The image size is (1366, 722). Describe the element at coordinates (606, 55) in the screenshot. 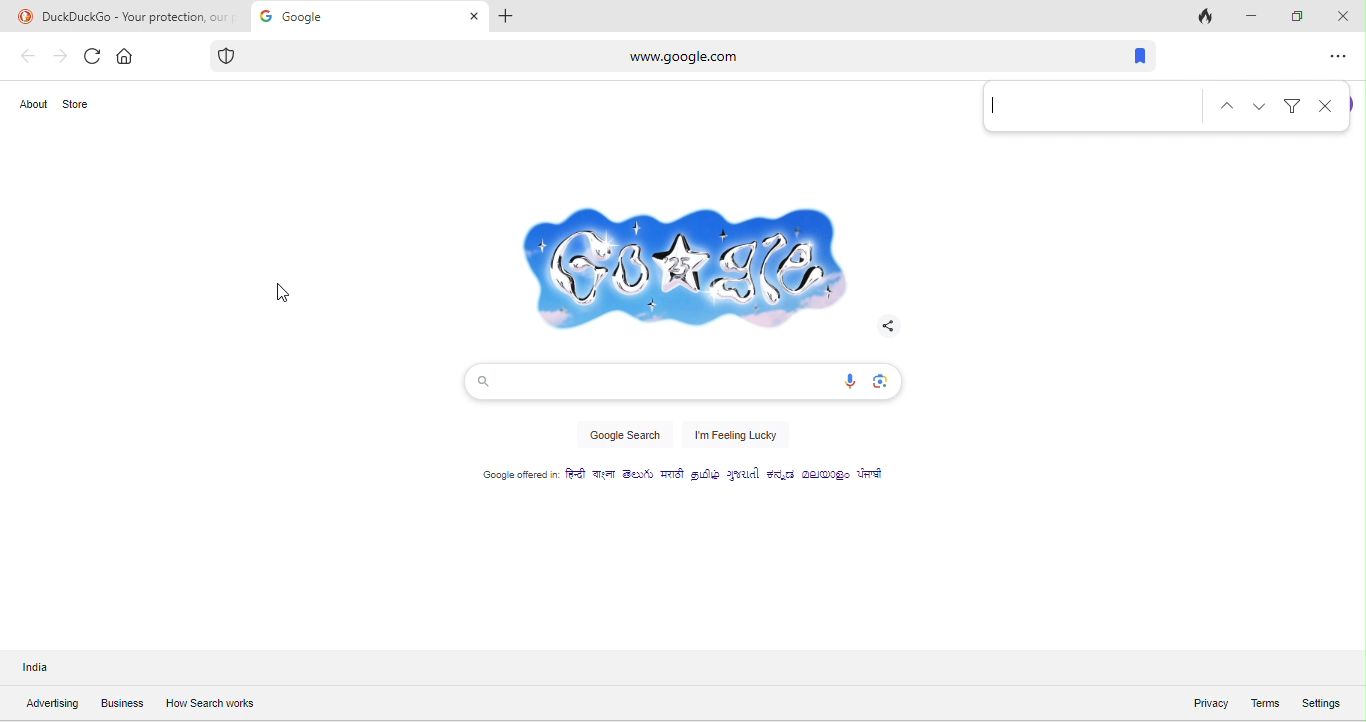

I see `www.google.com` at that location.